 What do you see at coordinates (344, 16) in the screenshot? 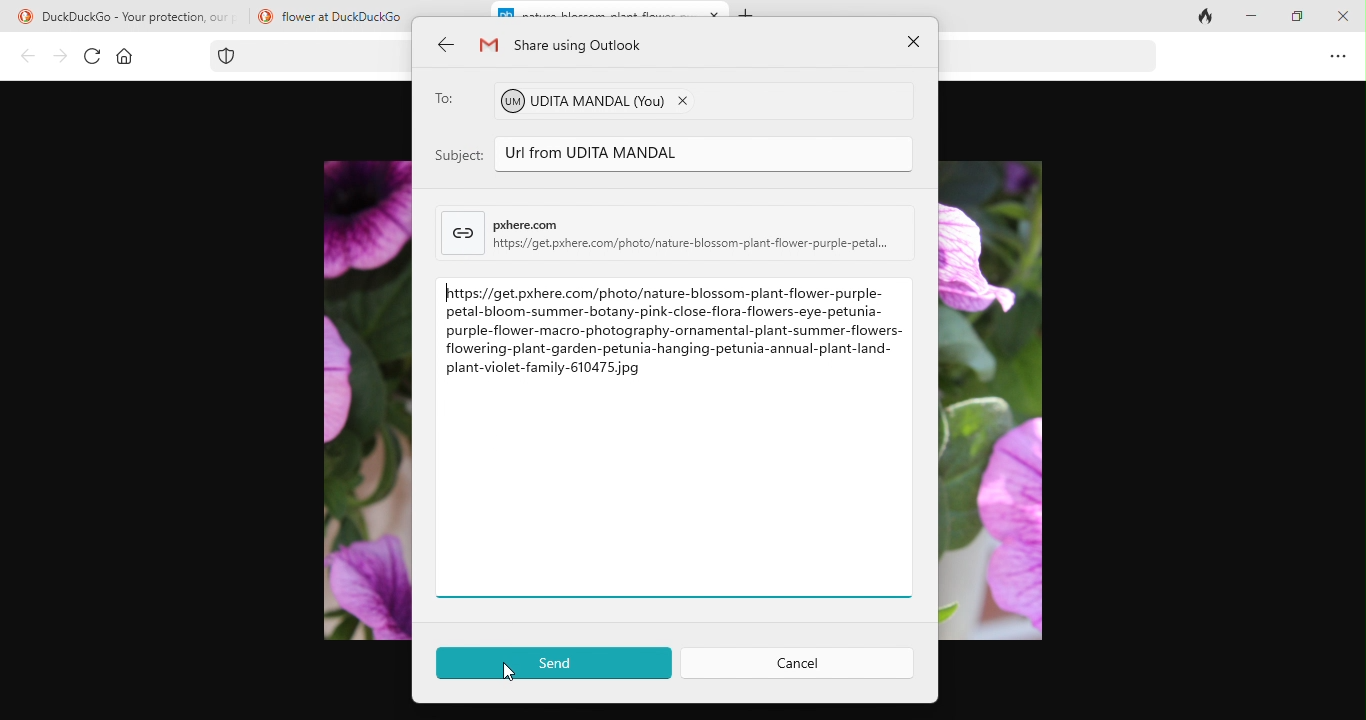
I see ` flower at DuckDuckGo` at bounding box center [344, 16].